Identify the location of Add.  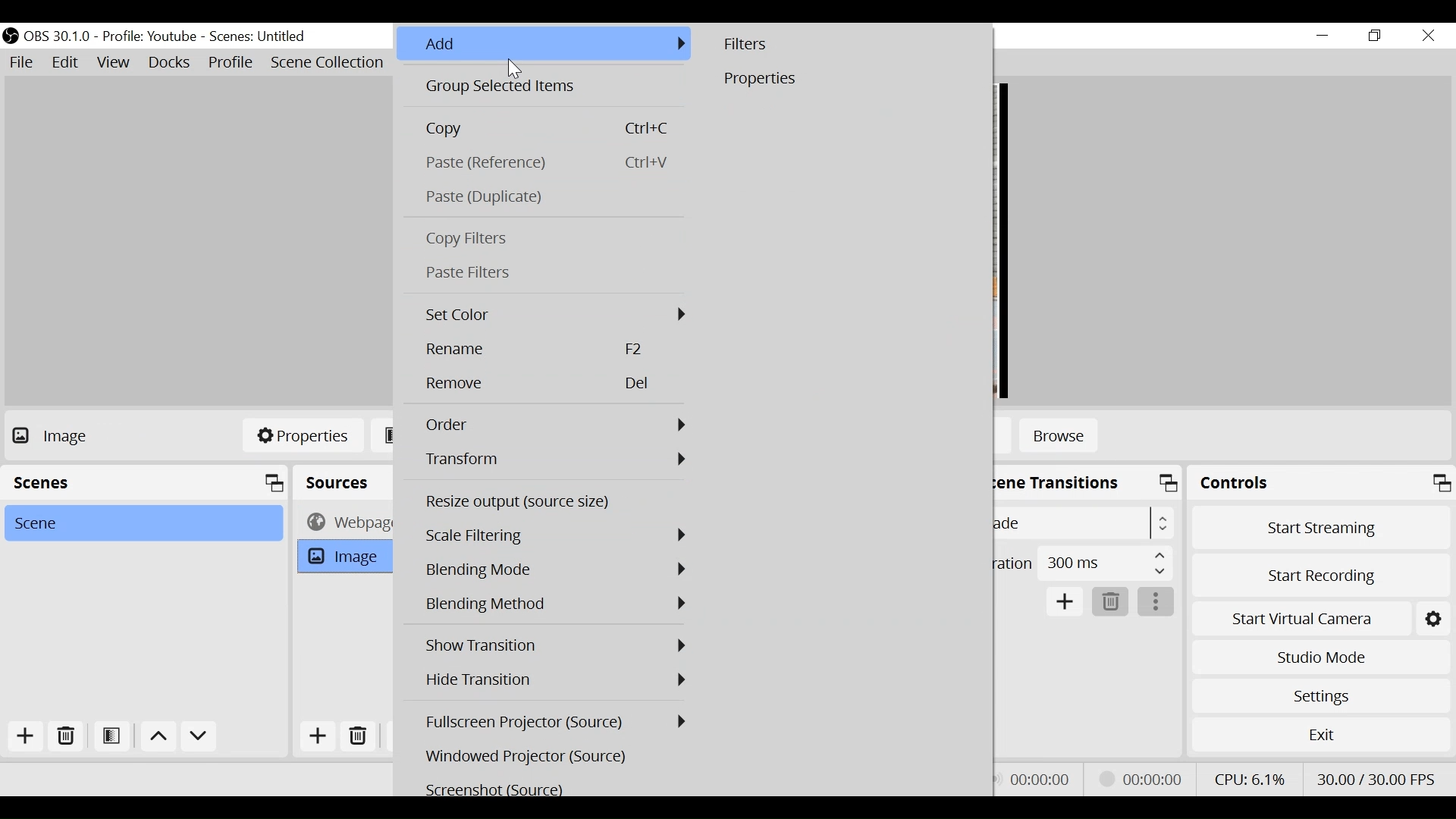
(318, 736).